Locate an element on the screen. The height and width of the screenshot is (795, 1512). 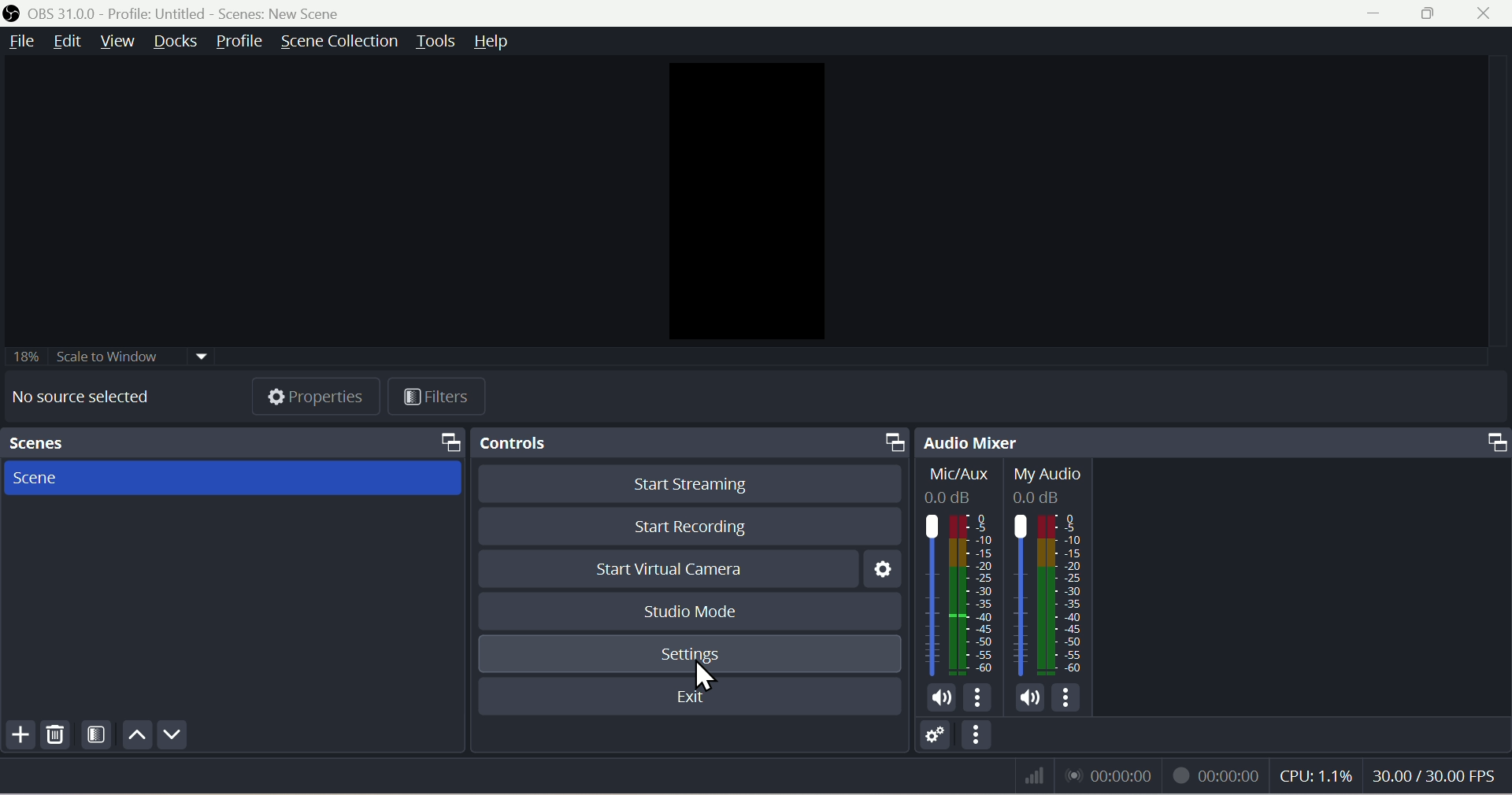
Start Recording is located at coordinates (686, 527).